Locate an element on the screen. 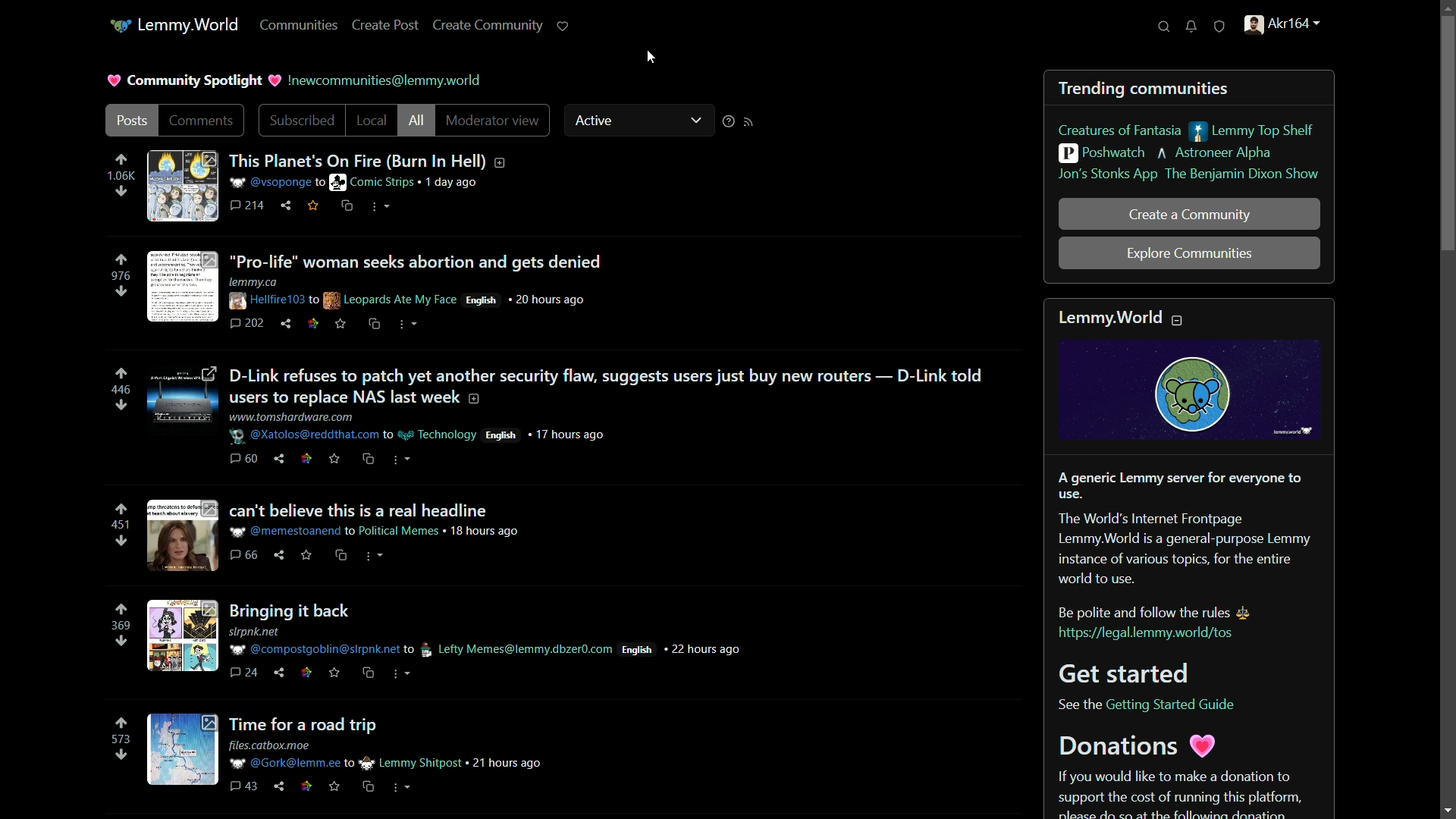 The height and width of the screenshot is (819, 1456). unread reports is located at coordinates (1221, 24).